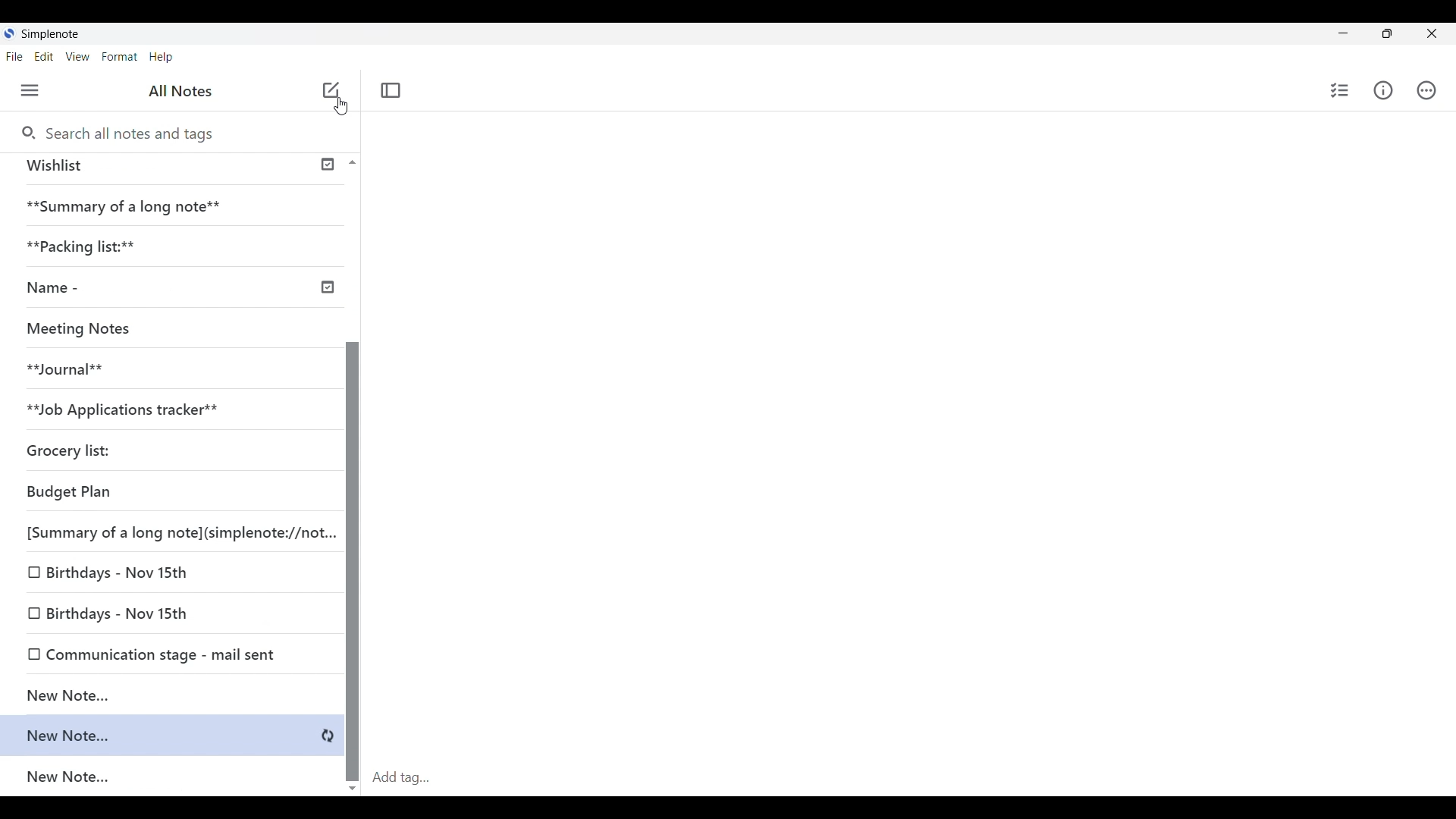 The height and width of the screenshot is (819, 1456). Describe the element at coordinates (52, 33) in the screenshot. I see `Simple note` at that location.